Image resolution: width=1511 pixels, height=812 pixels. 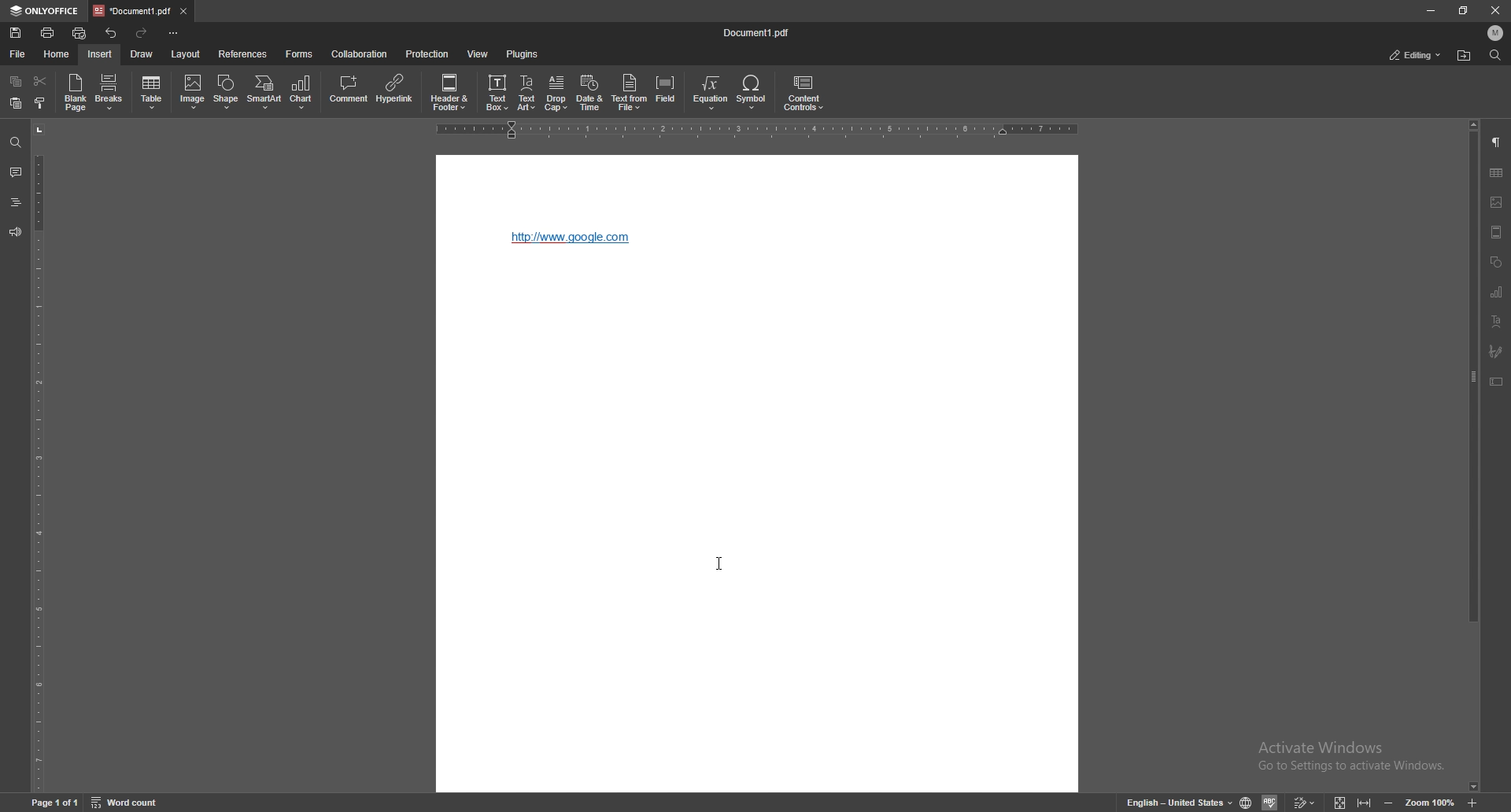 I want to click on word count, so click(x=126, y=801).